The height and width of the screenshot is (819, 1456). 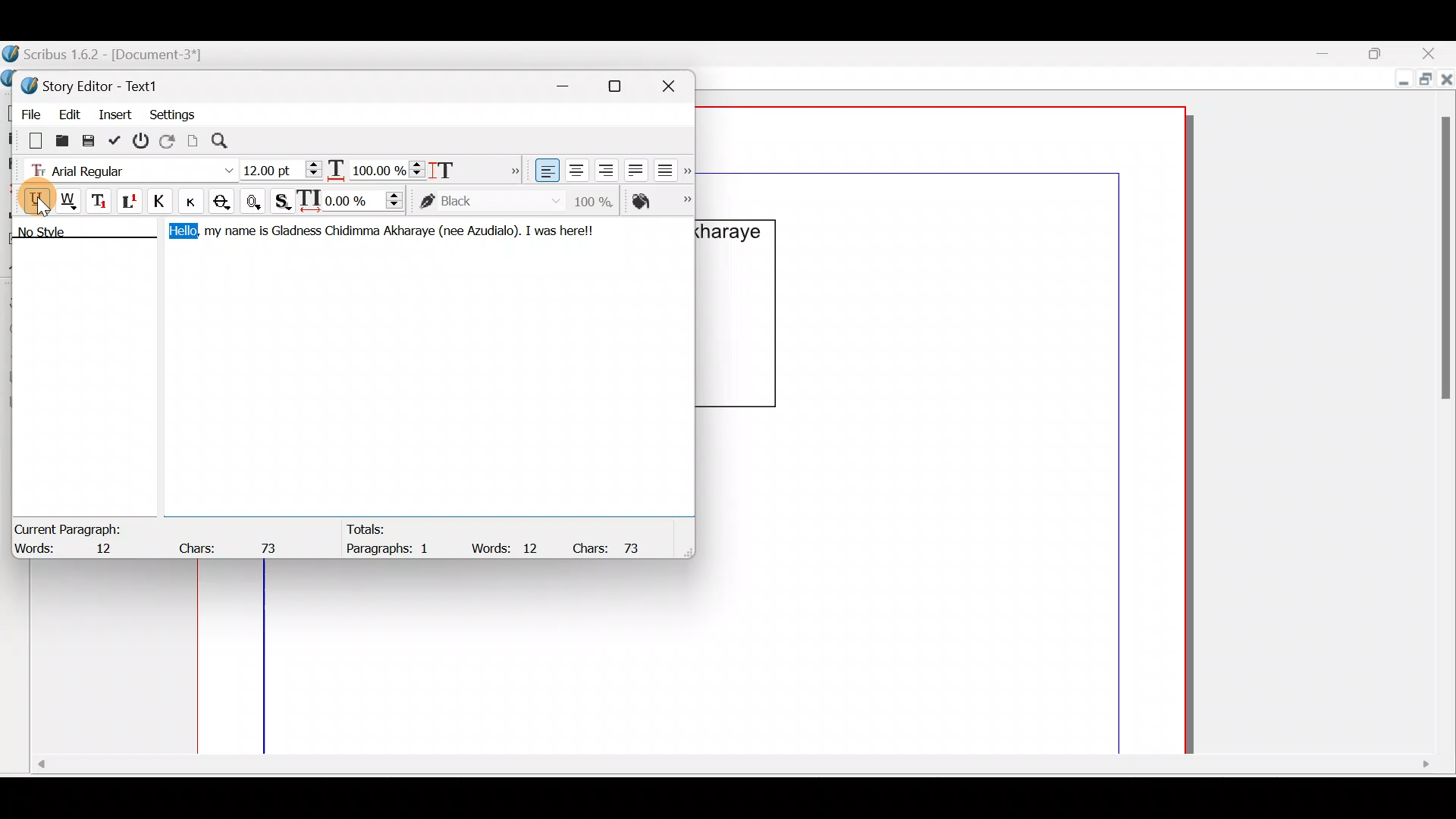 What do you see at coordinates (101, 199) in the screenshot?
I see `Subscript` at bounding box center [101, 199].